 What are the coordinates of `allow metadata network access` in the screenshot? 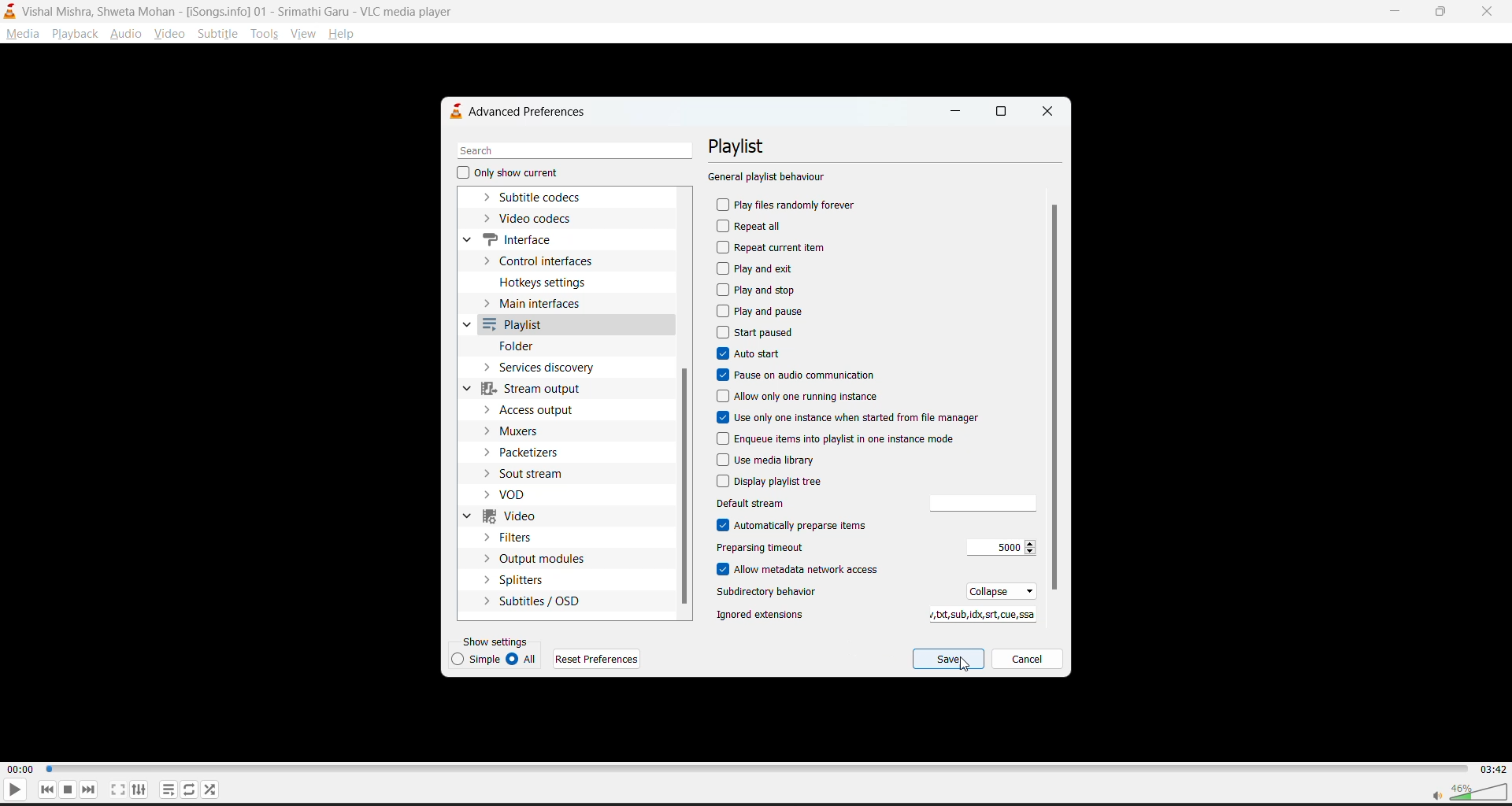 It's located at (806, 569).